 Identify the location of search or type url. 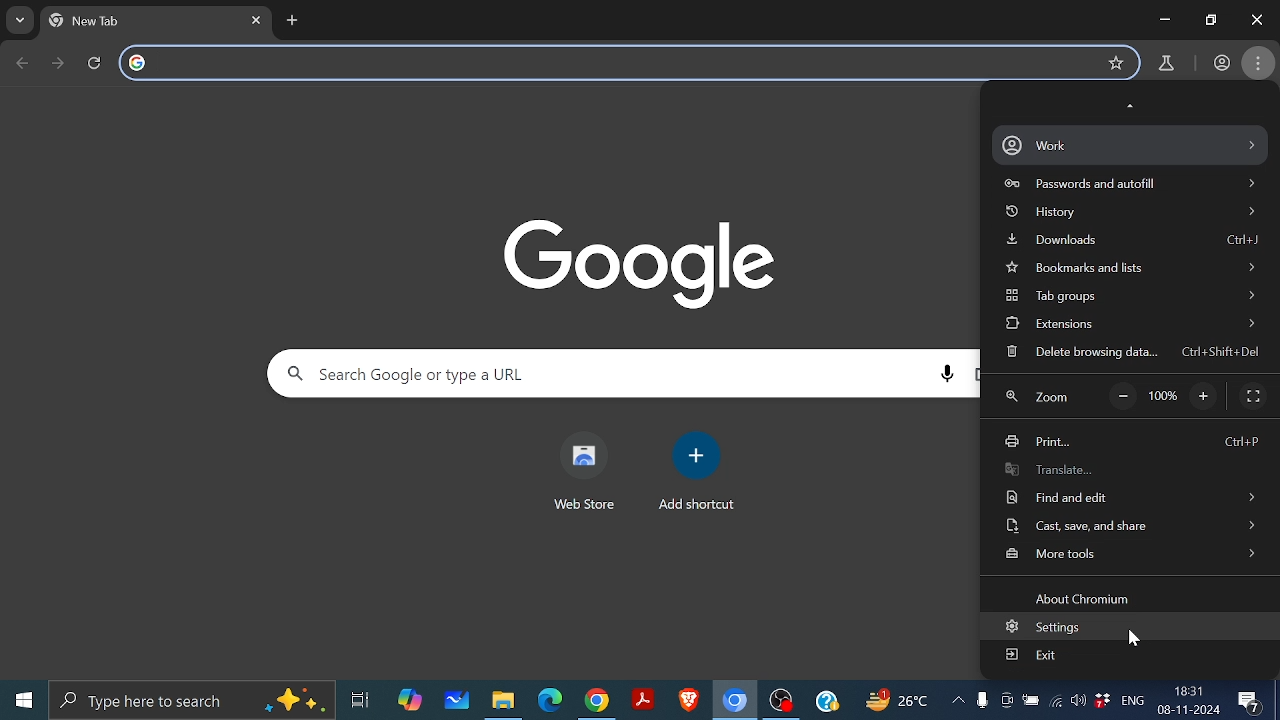
(629, 63).